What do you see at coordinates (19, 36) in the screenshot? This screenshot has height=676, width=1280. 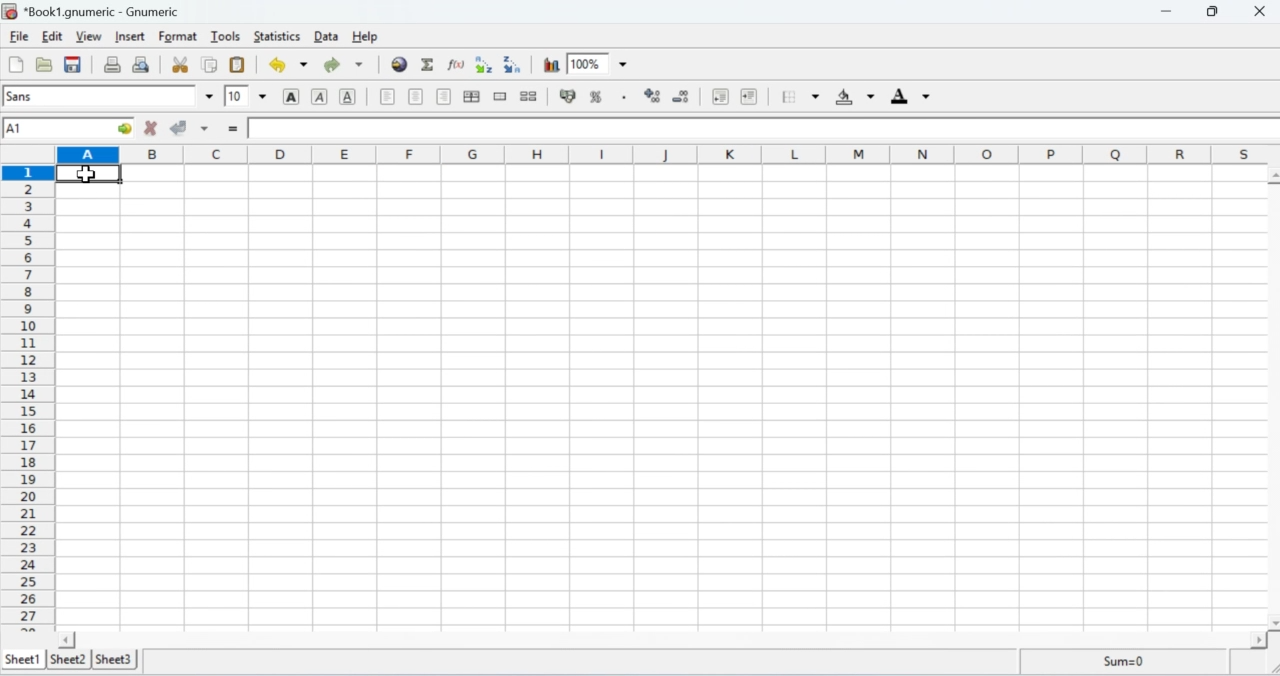 I see `File` at bounding box center [19, 36].